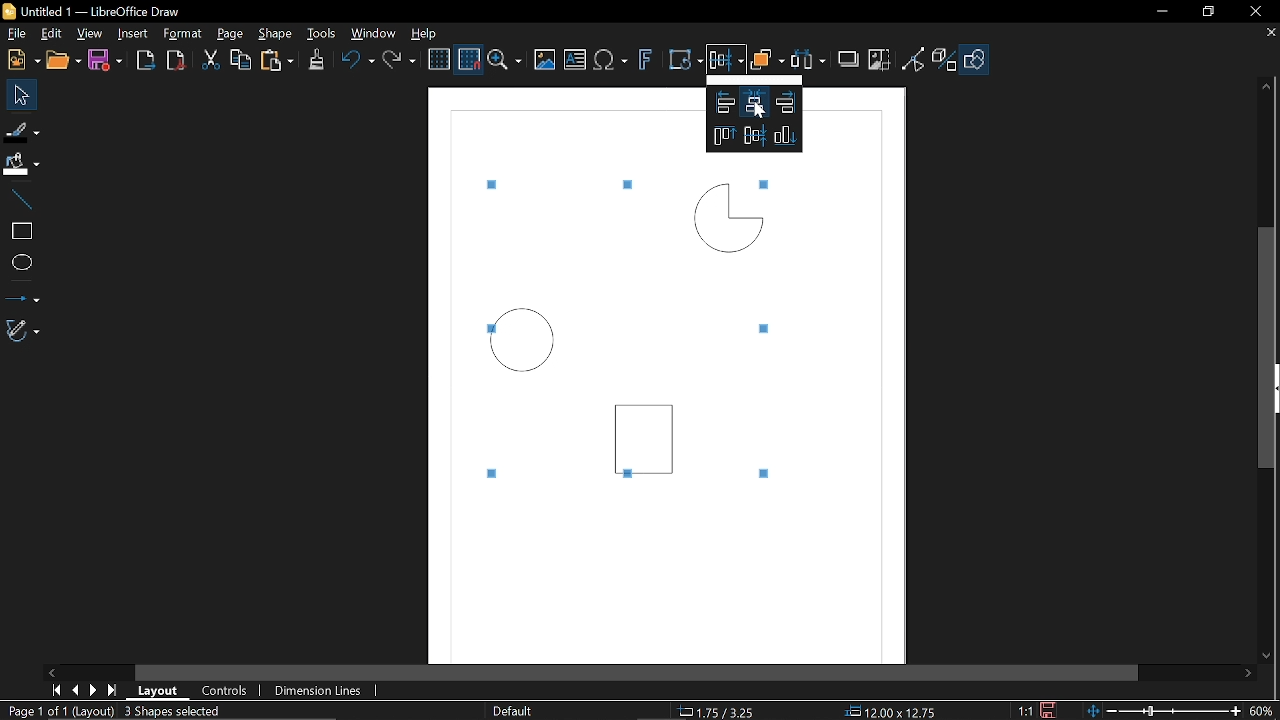 The height and width of the screenshot is (720, 1280). What do you see at coordinates (1270, 88) in the screenshot?
I see `Move up` at bounding box center [1270, 88].